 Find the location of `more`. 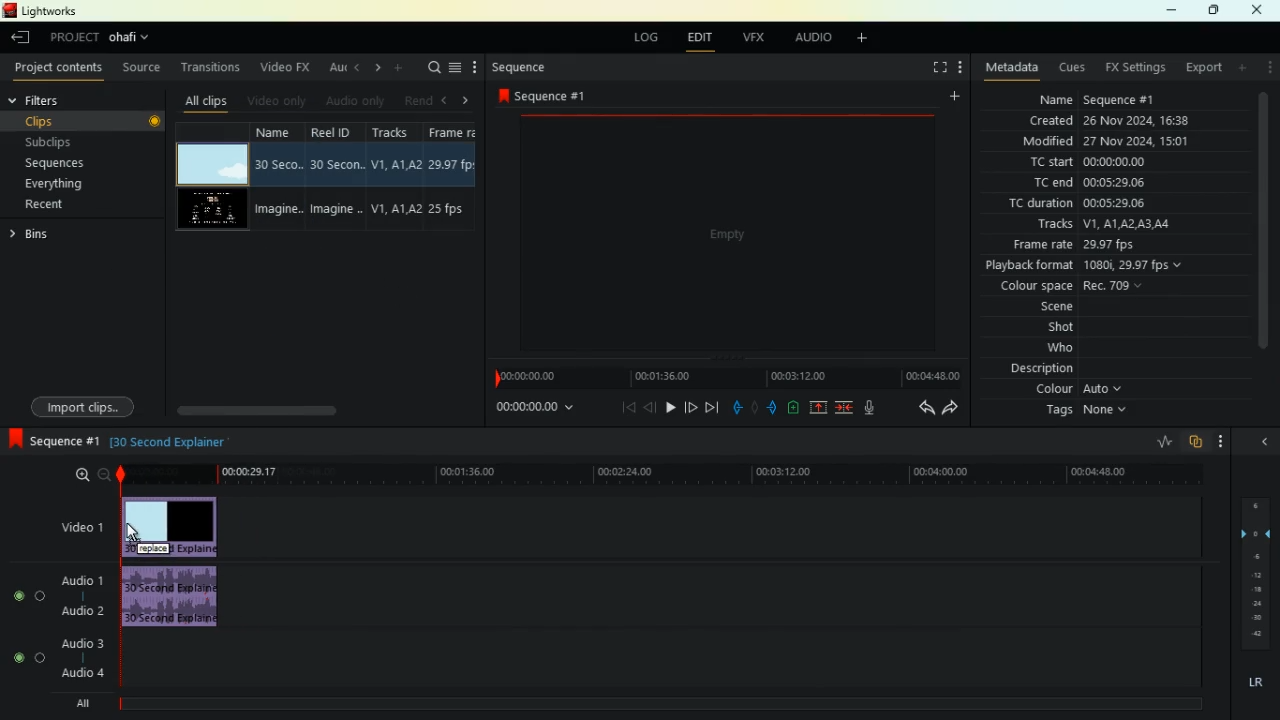

more is located at coordinates (474, 67).